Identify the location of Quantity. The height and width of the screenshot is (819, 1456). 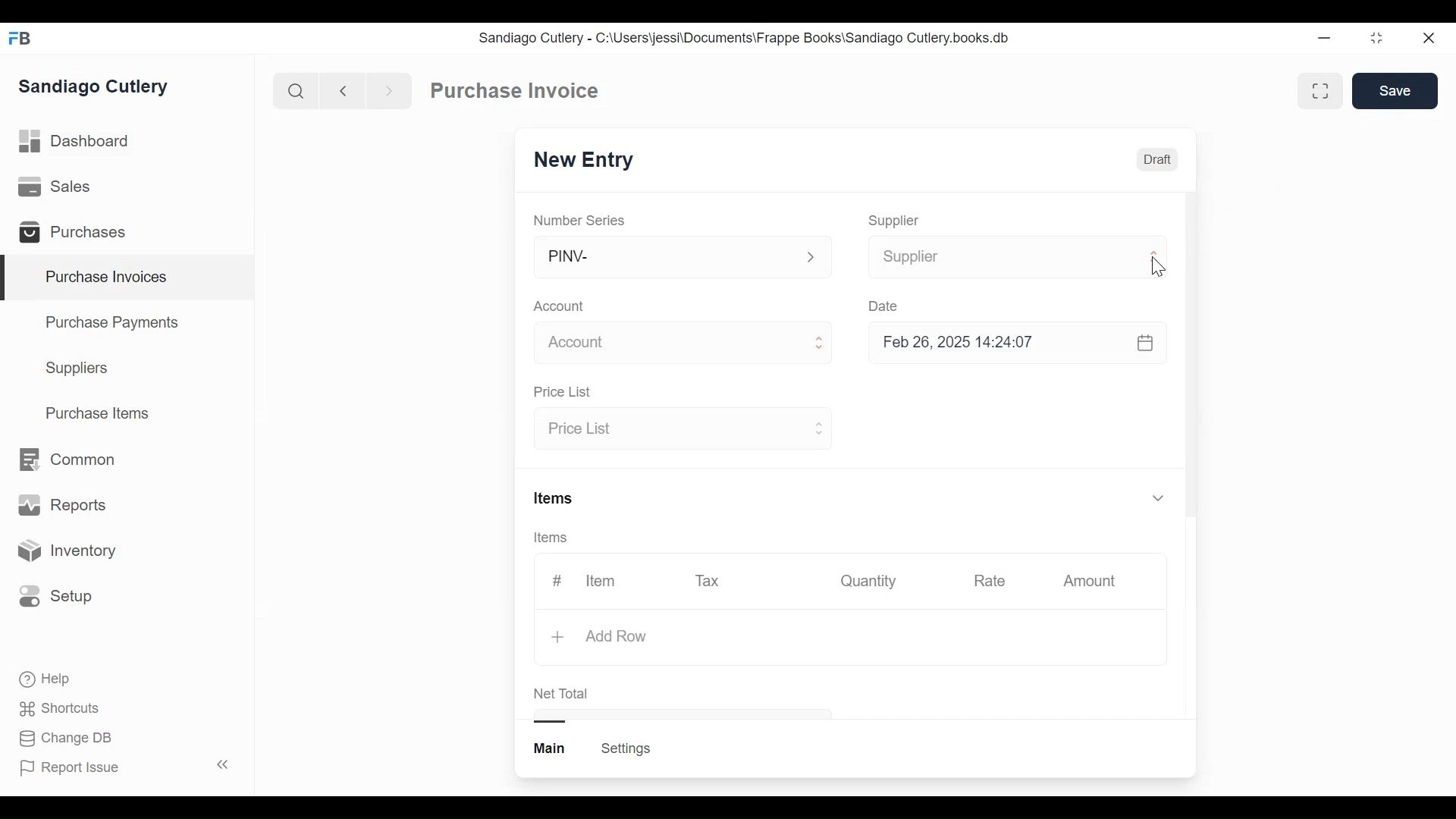
(867, 580).